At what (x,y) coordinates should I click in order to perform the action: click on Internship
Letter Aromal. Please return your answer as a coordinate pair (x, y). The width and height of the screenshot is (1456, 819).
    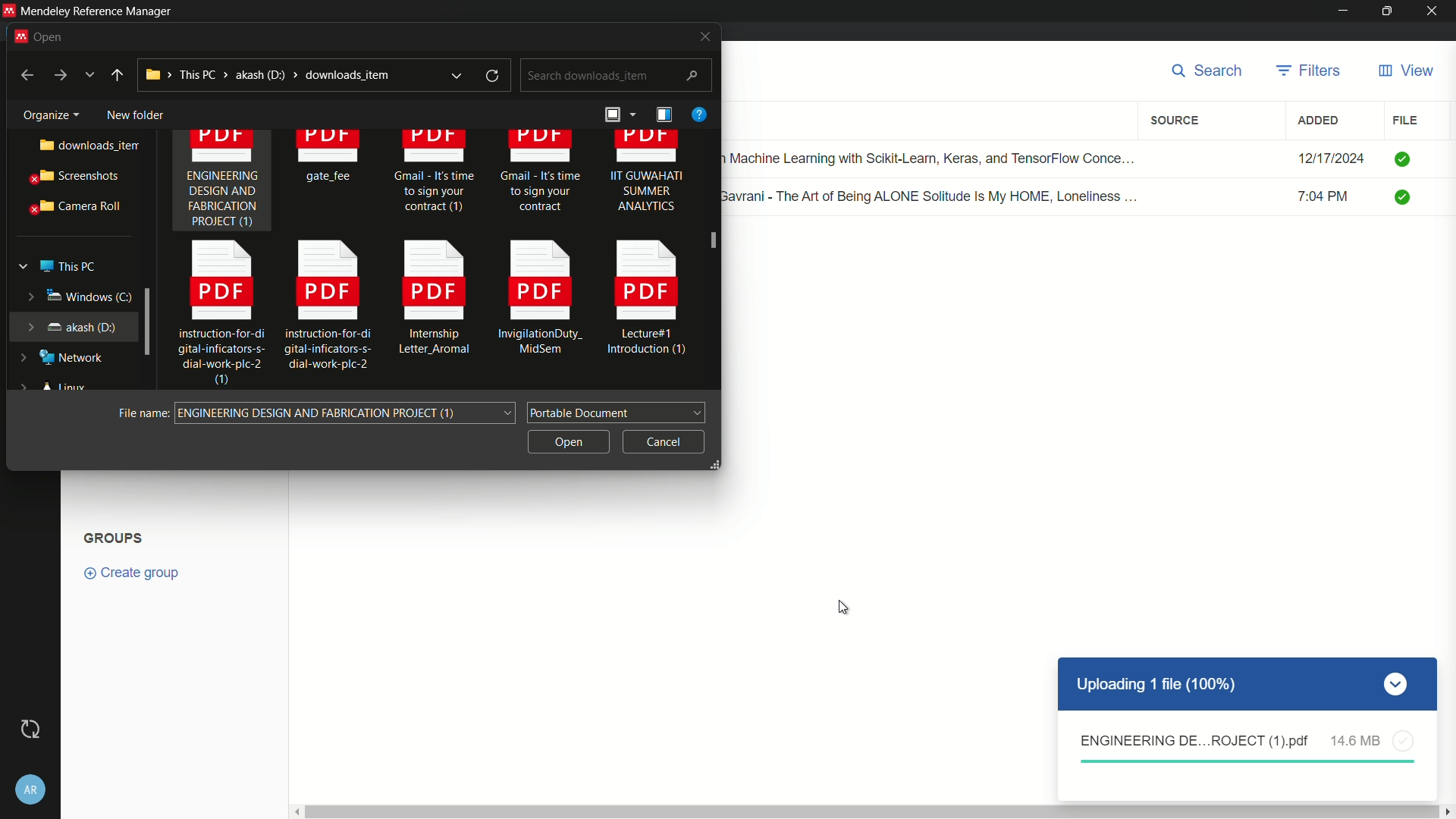
    Looking at the image, I should click on (429, 303).